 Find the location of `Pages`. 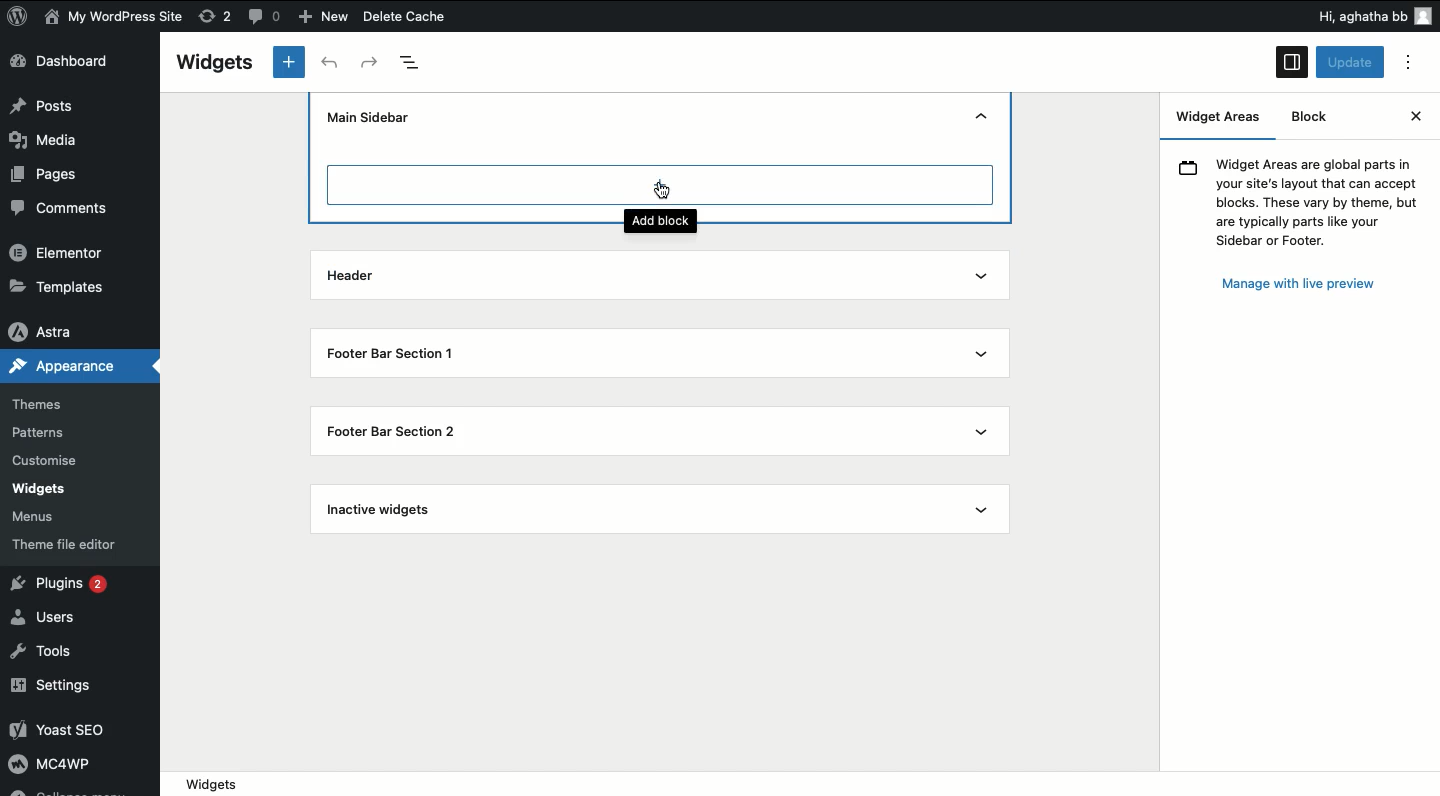

Pages is located at coordinates (45, 174).